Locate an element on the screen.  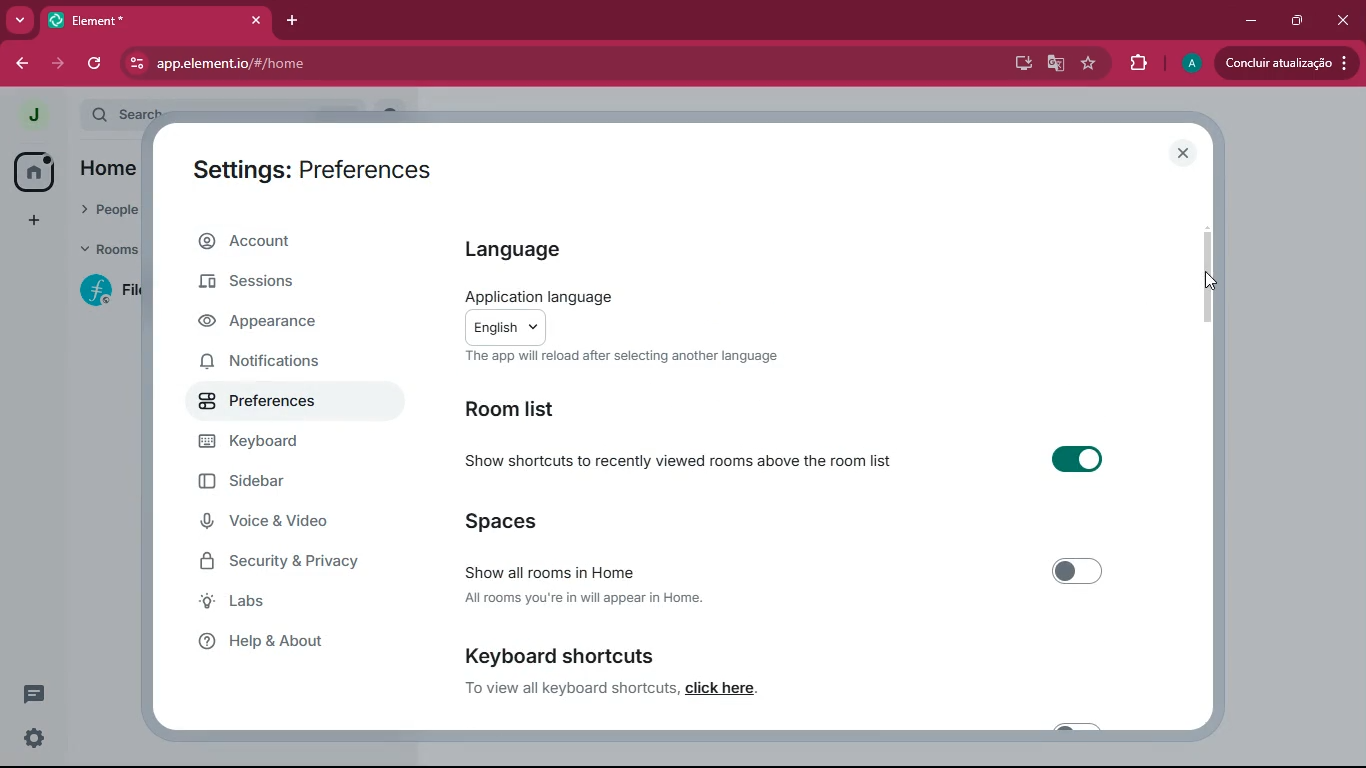
english is located at coordinates (506, 327).